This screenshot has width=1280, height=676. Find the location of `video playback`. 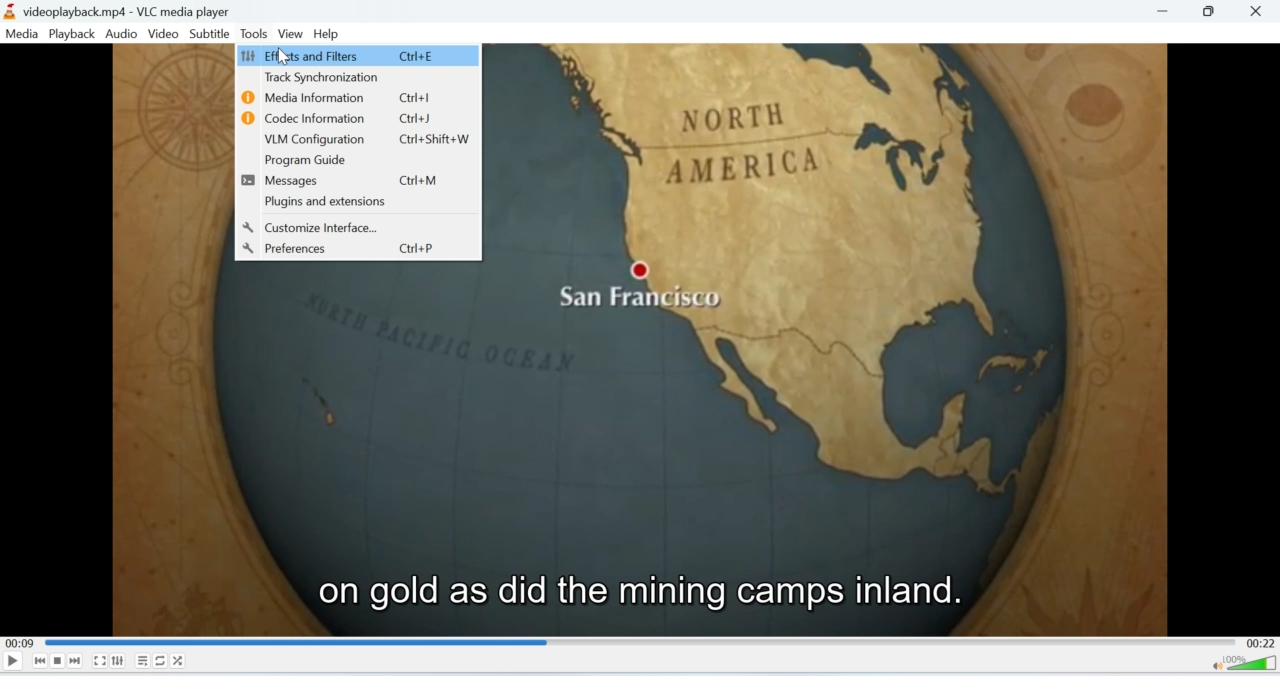

video playback is located at coordinates (639, 447).